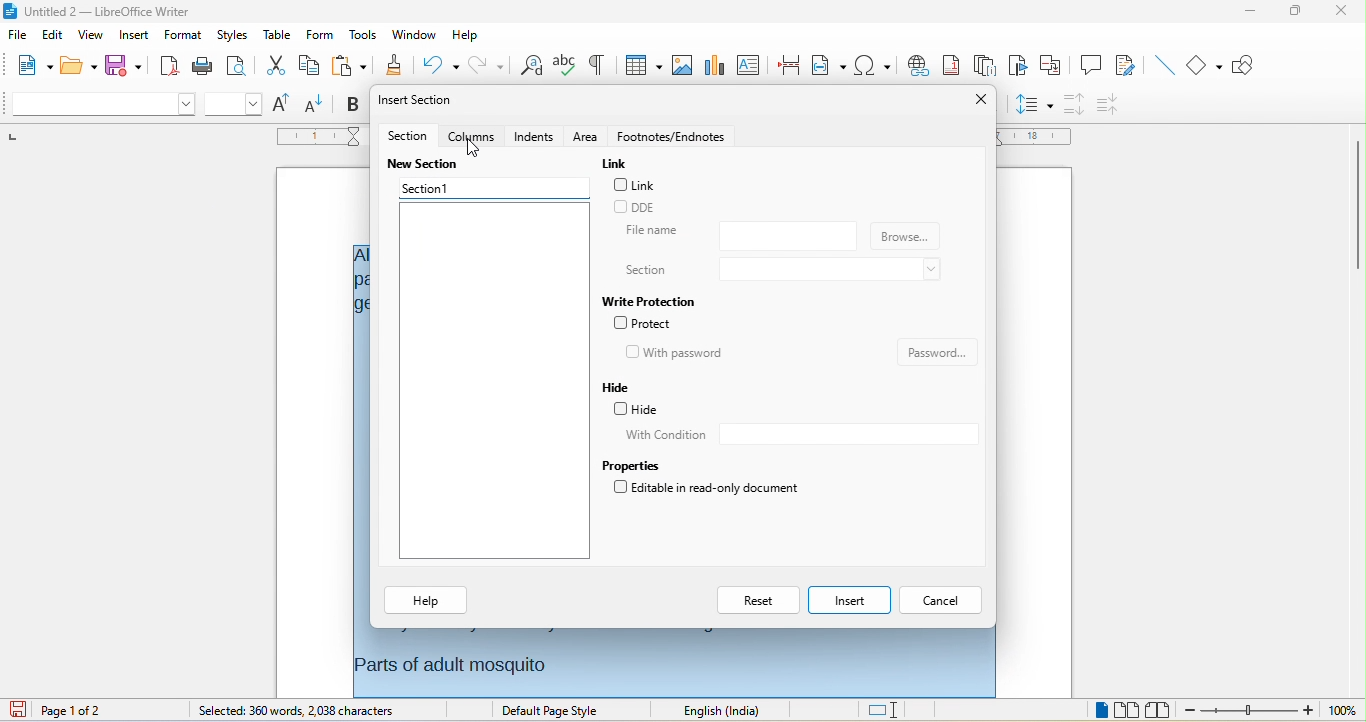  Describe the element at coordinates (276, 34) in the screenshot. I see `table` at that location.